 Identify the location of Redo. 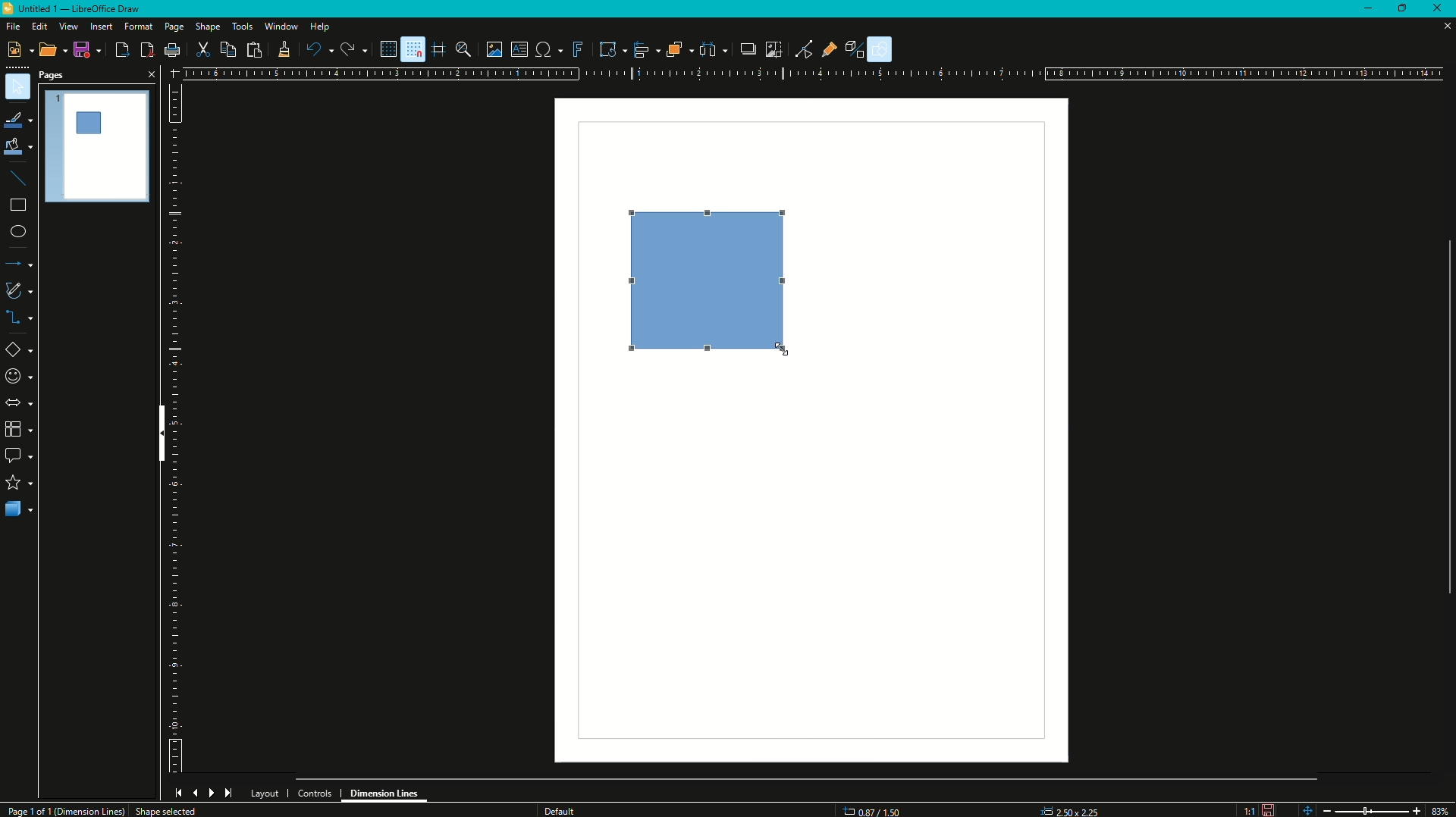
(353, 50).